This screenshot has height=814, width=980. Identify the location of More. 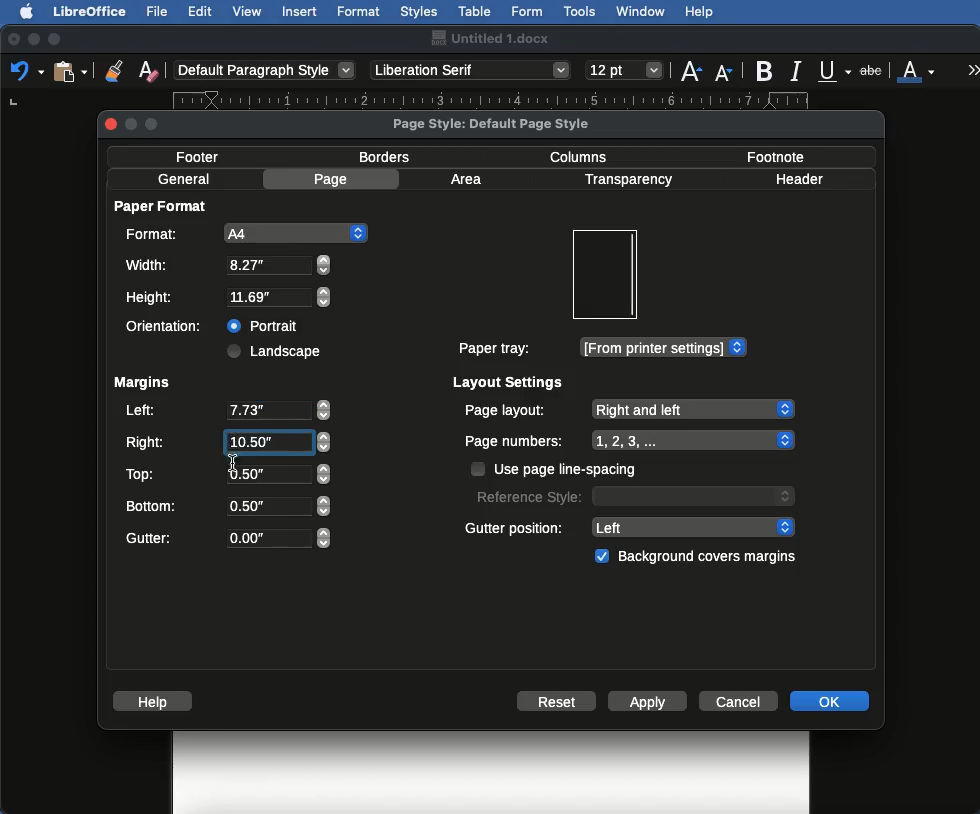
(974, 69).